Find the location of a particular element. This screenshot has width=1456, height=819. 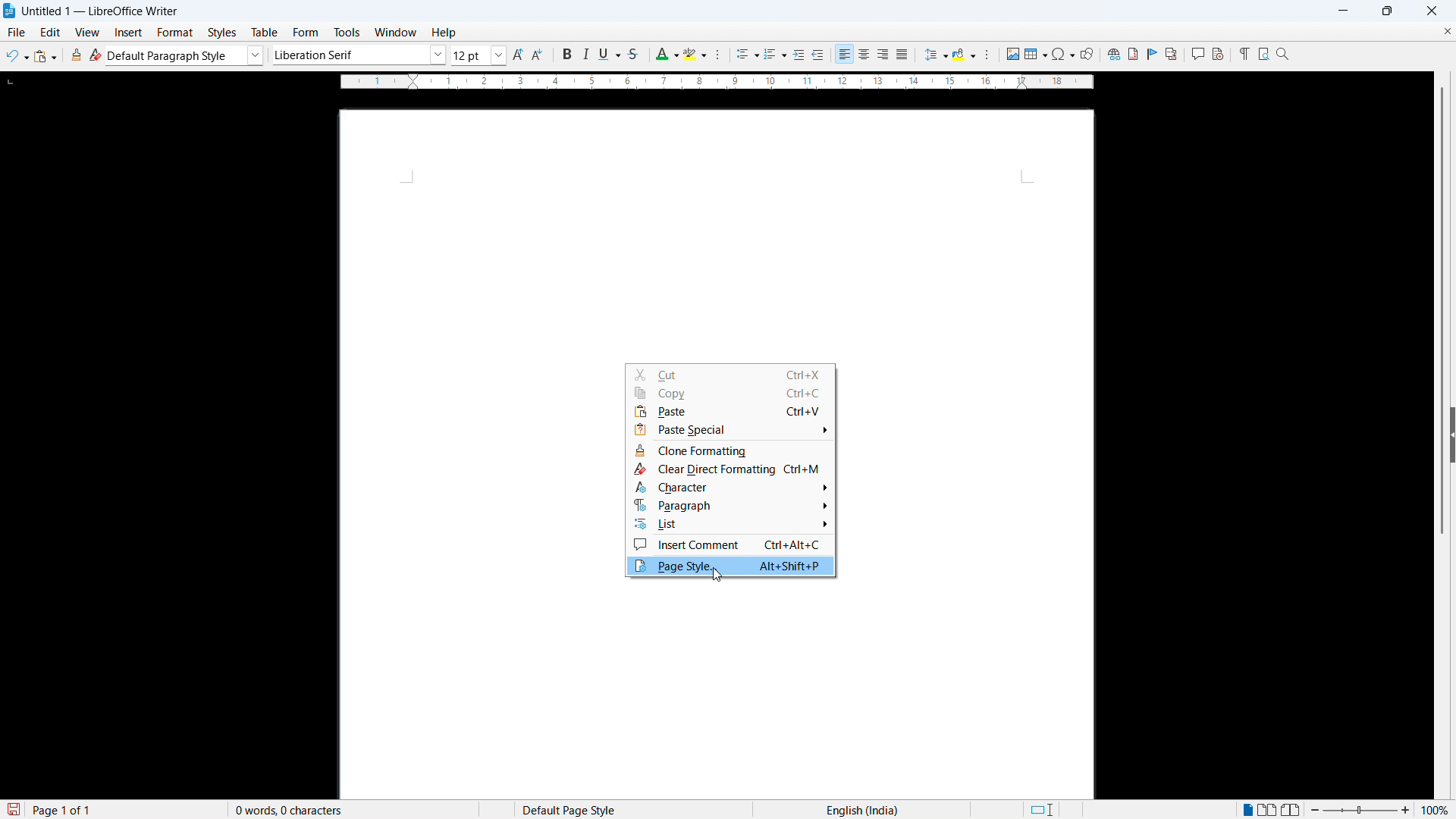

Close document  is located at coordinates (1447, 30).